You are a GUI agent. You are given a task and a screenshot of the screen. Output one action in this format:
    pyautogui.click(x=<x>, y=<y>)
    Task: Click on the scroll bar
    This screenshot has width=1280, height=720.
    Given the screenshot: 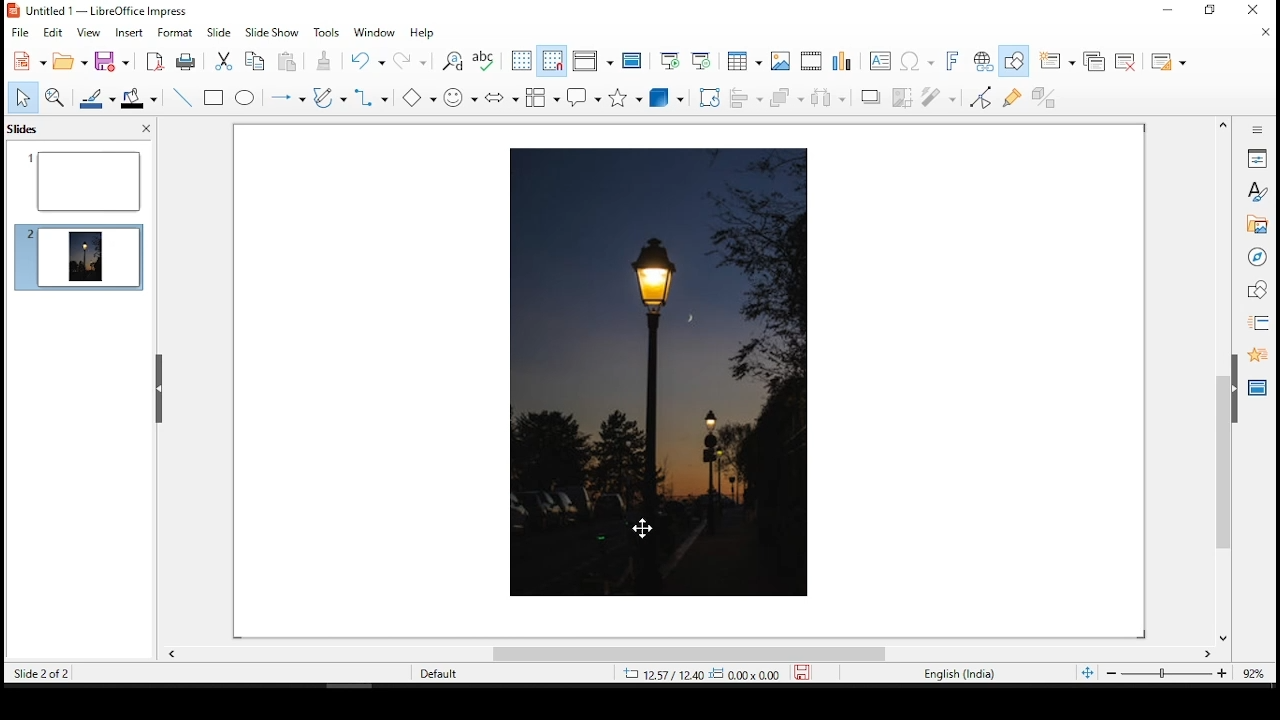 What is the action you would take?
    pyautogui.click(x=1223, y=381)
    